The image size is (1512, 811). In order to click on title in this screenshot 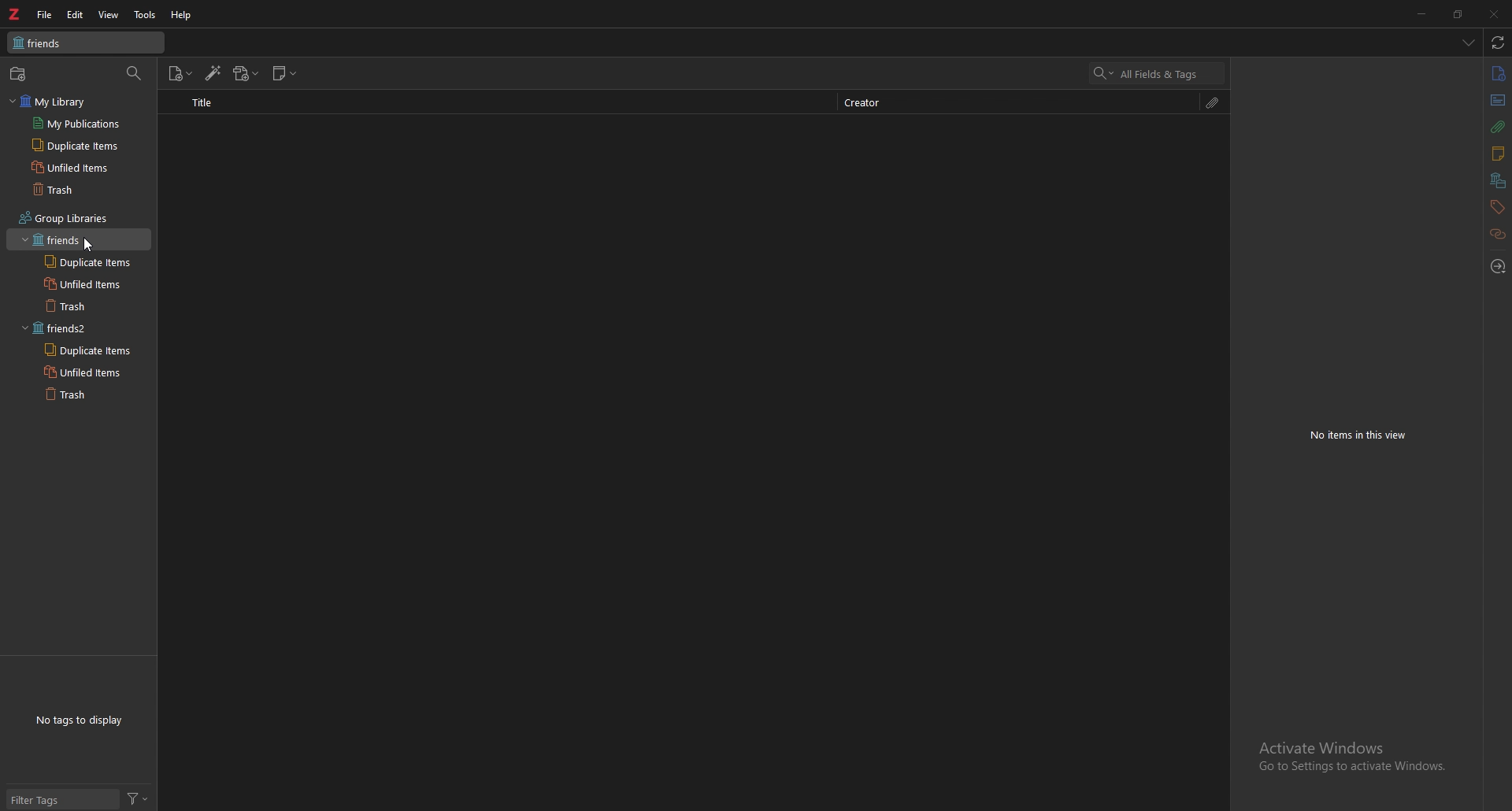, I will do `click(205, 103)`.